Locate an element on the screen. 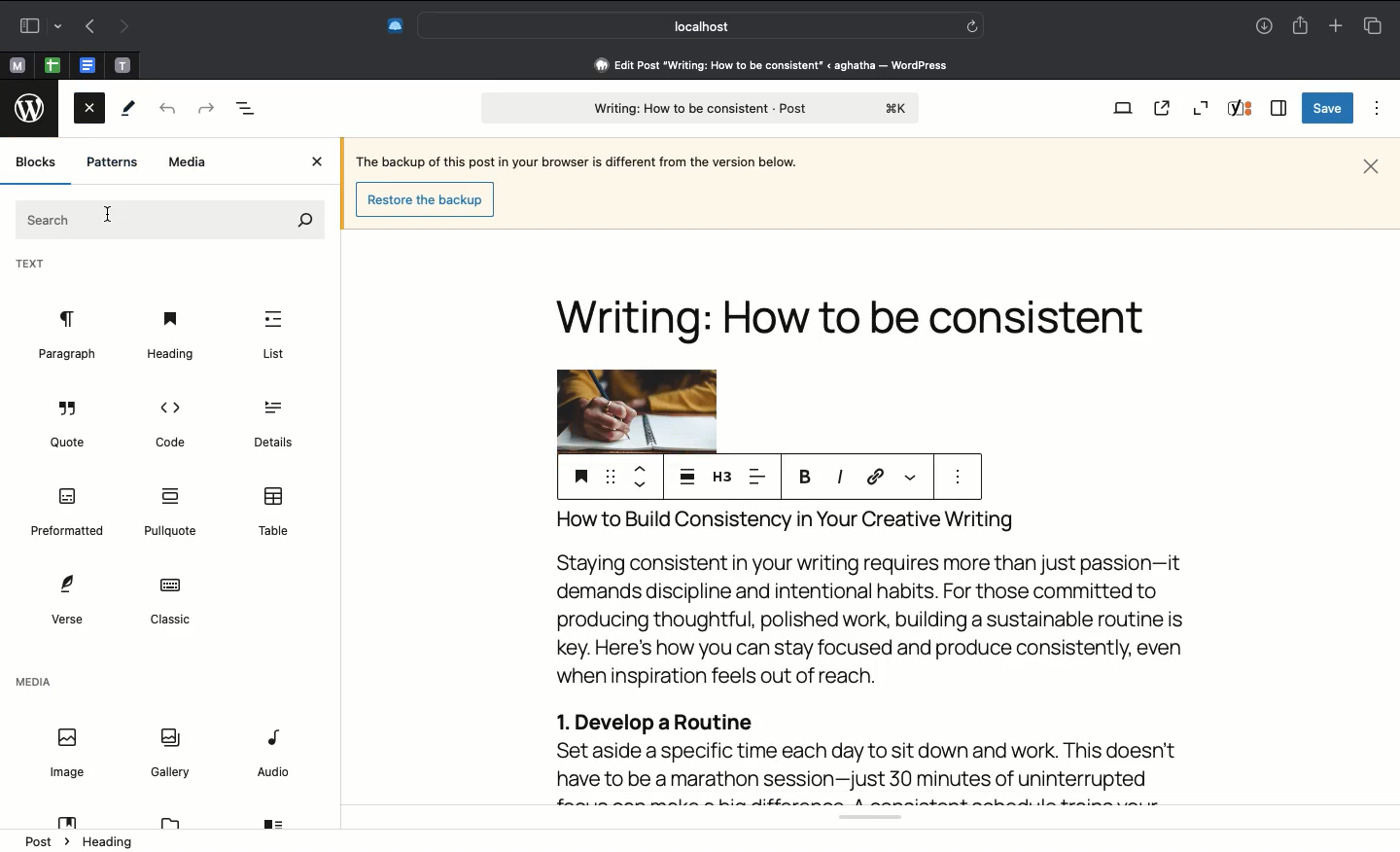  Paragraph is located at coordinates (66, 336).